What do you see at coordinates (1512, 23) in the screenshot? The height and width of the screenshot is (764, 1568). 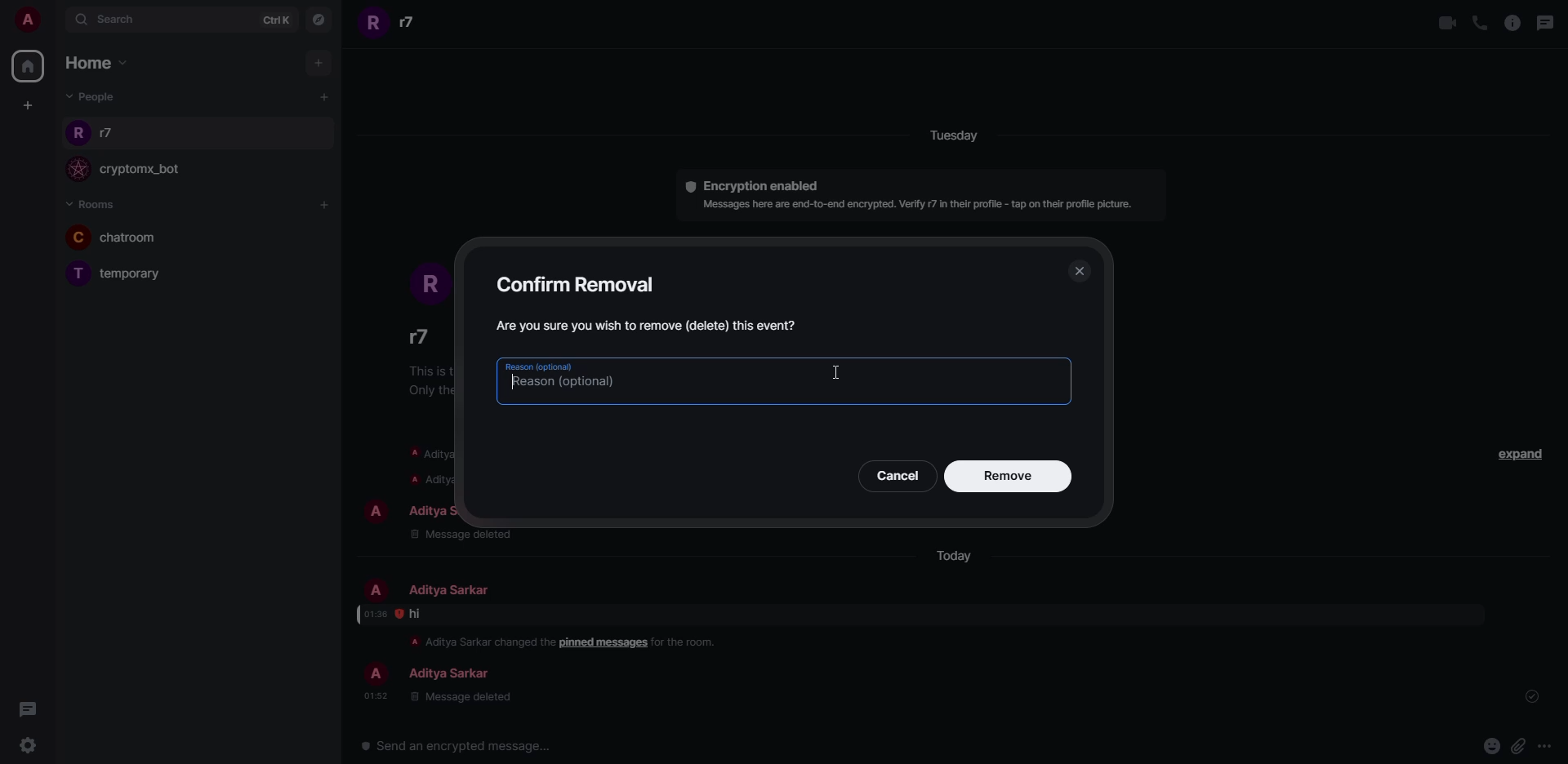 I see `info` at bounding box center [1512, 23].